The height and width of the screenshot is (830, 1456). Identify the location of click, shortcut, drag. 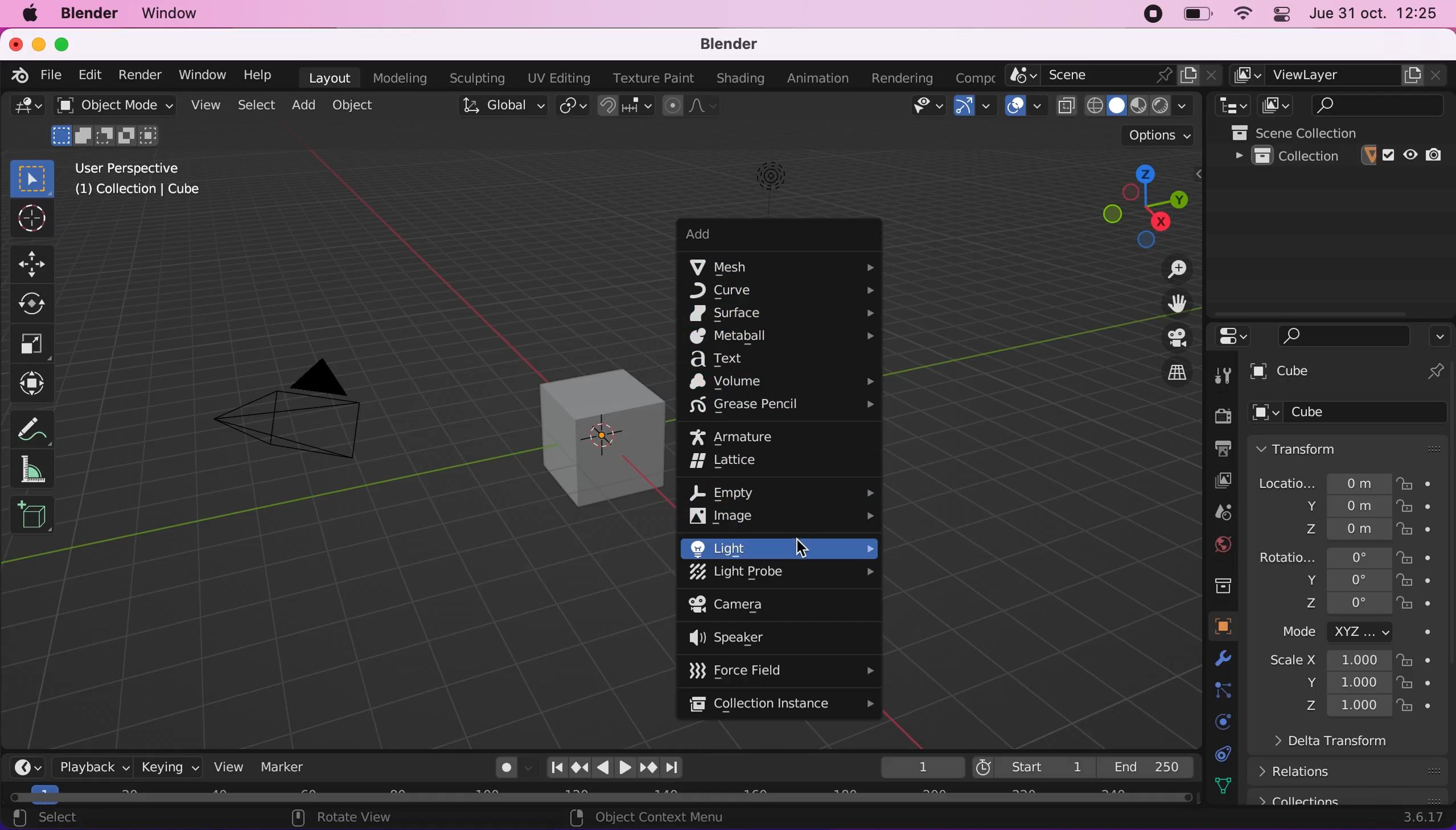
(1137, 201).